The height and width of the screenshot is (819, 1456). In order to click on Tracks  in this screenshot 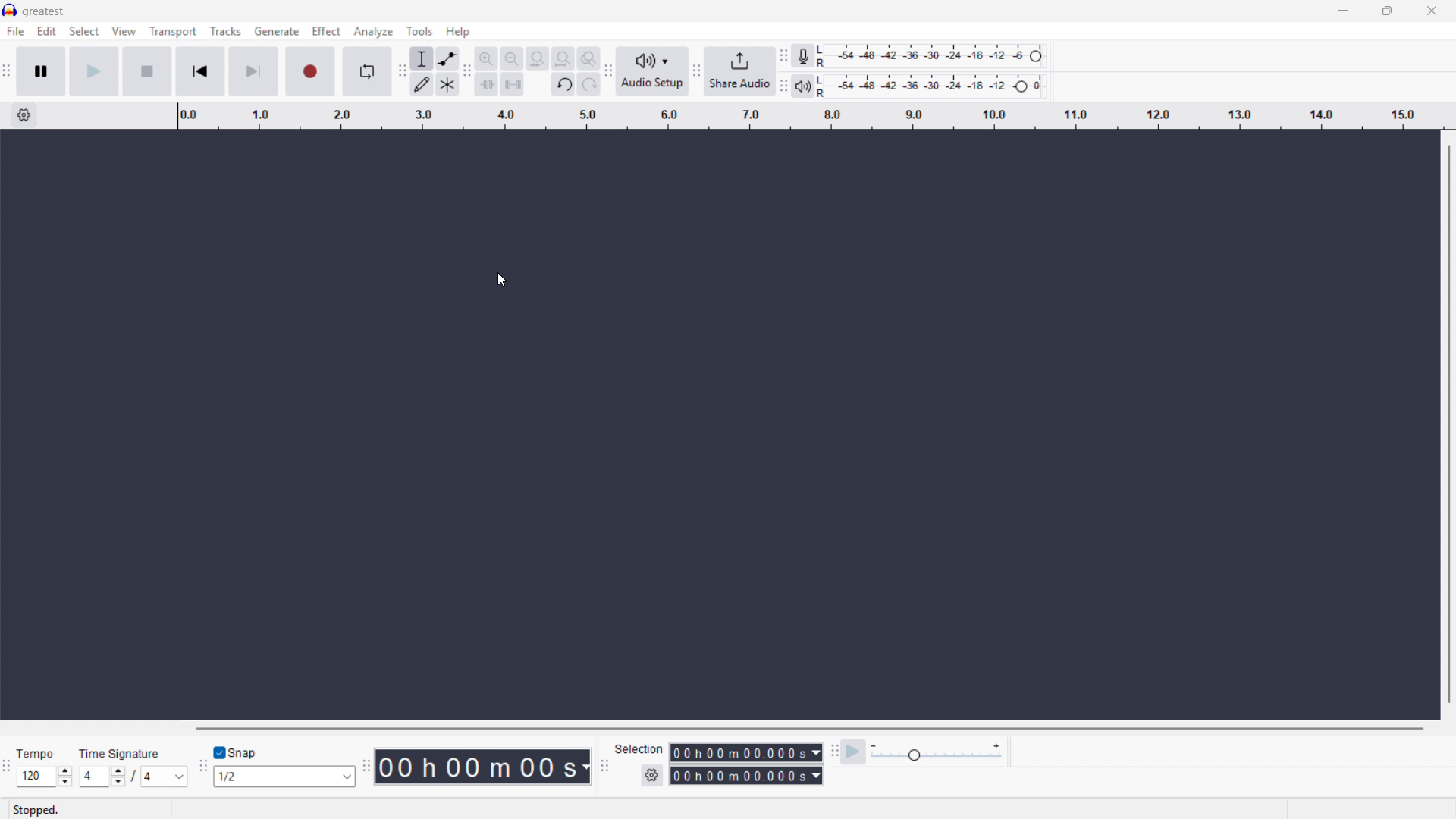, I will do `click(226, 32)`.